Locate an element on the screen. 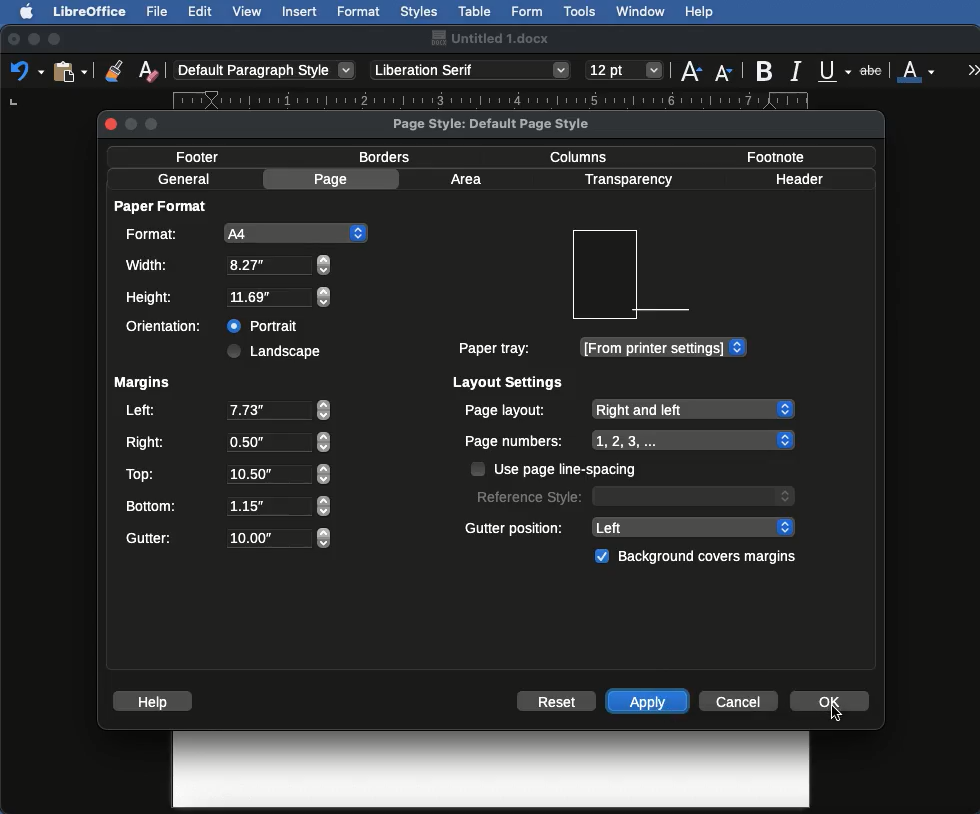 Image resolution: width=980 pixels, height=814 pixels. Page is located at coordinates (334, 179).